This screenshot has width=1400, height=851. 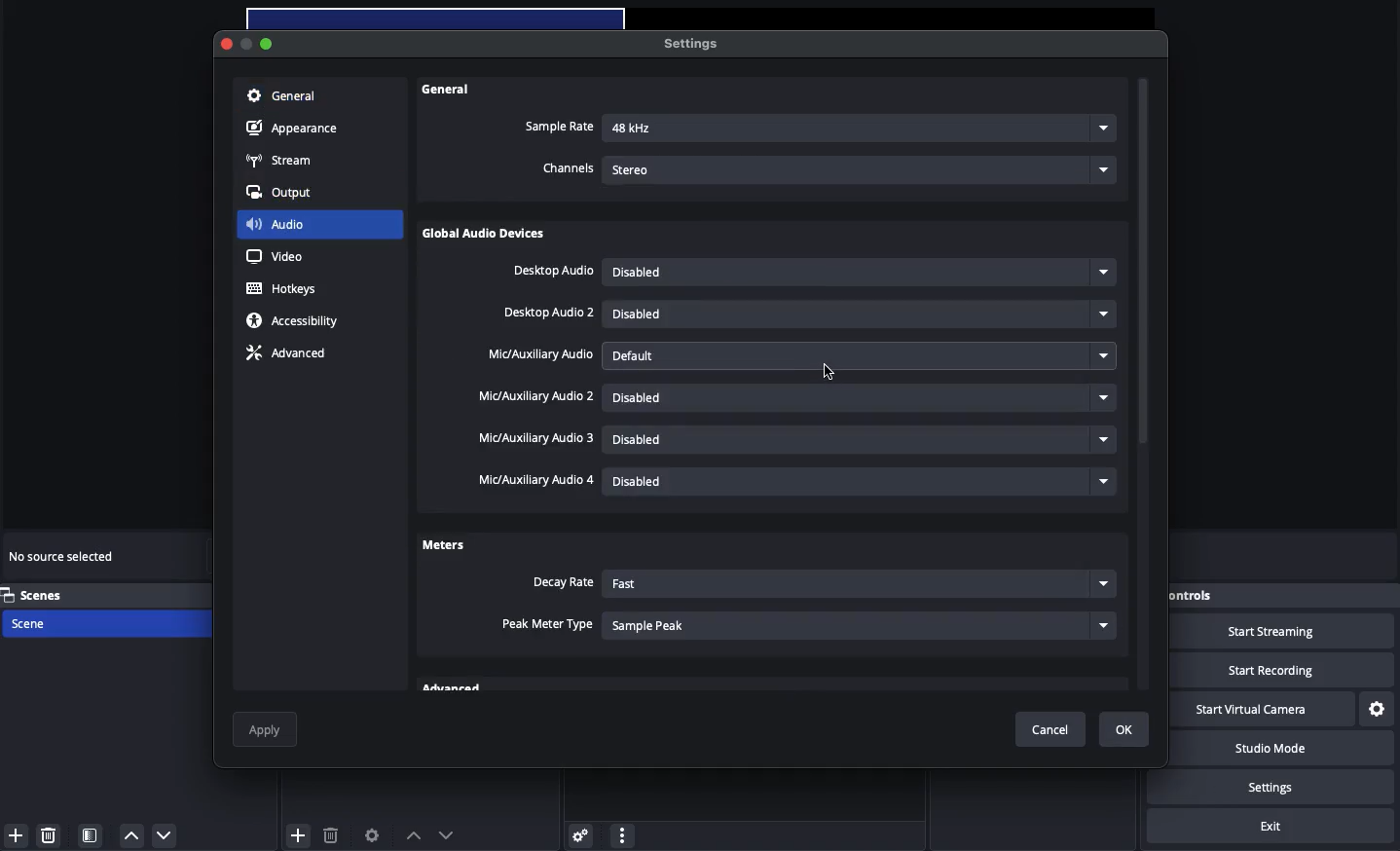 What do you see at coordinates (535, 396) in the screenshot?
I see `Mic, aux, audio 2` at bounding box center [535, 396].